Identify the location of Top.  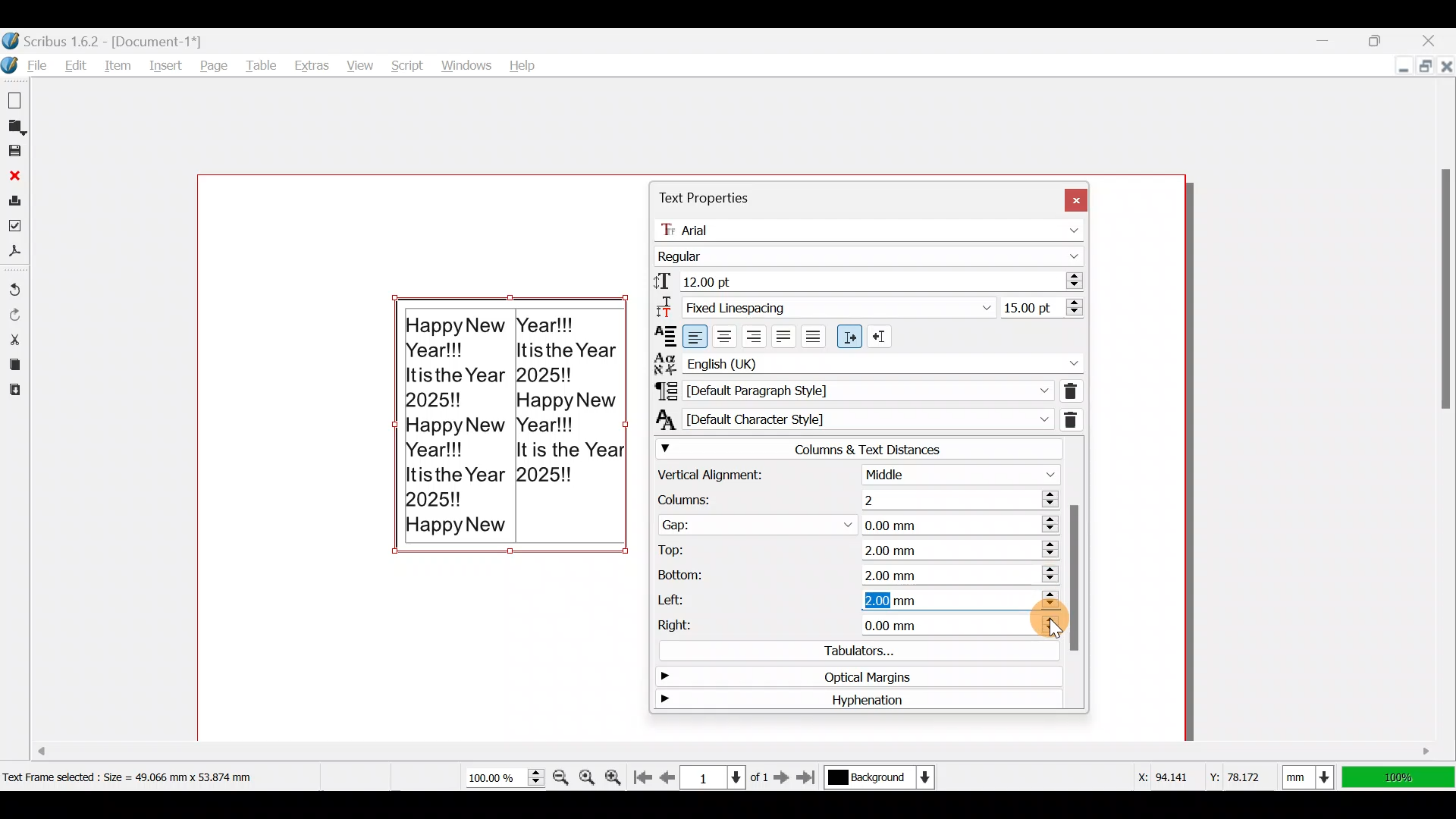
(852, 548).